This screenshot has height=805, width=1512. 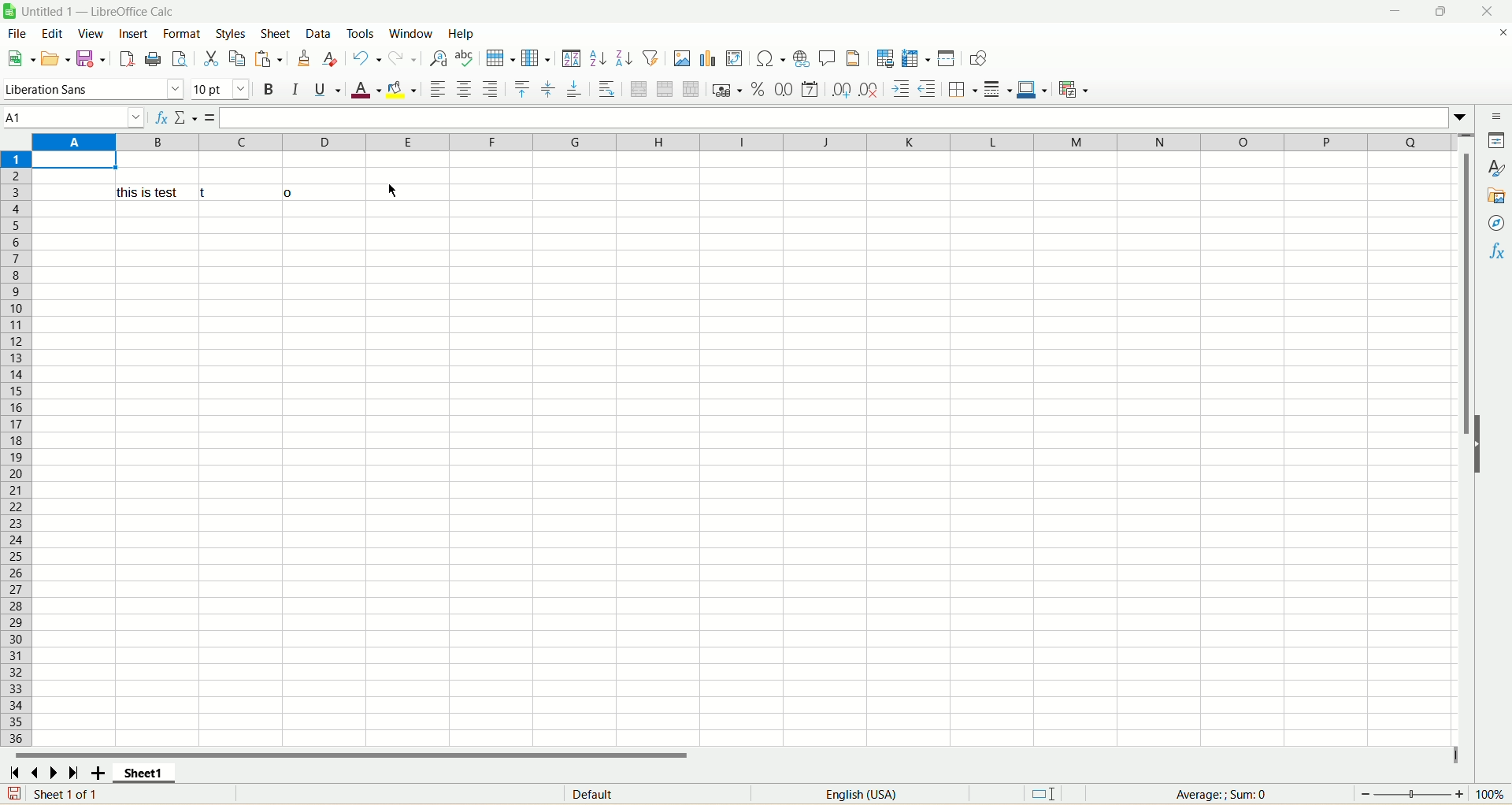 What do you see at coordinates (54, 769) in the screenshot?
I see `scroll to next sheet` at bounding box center [54, 769].